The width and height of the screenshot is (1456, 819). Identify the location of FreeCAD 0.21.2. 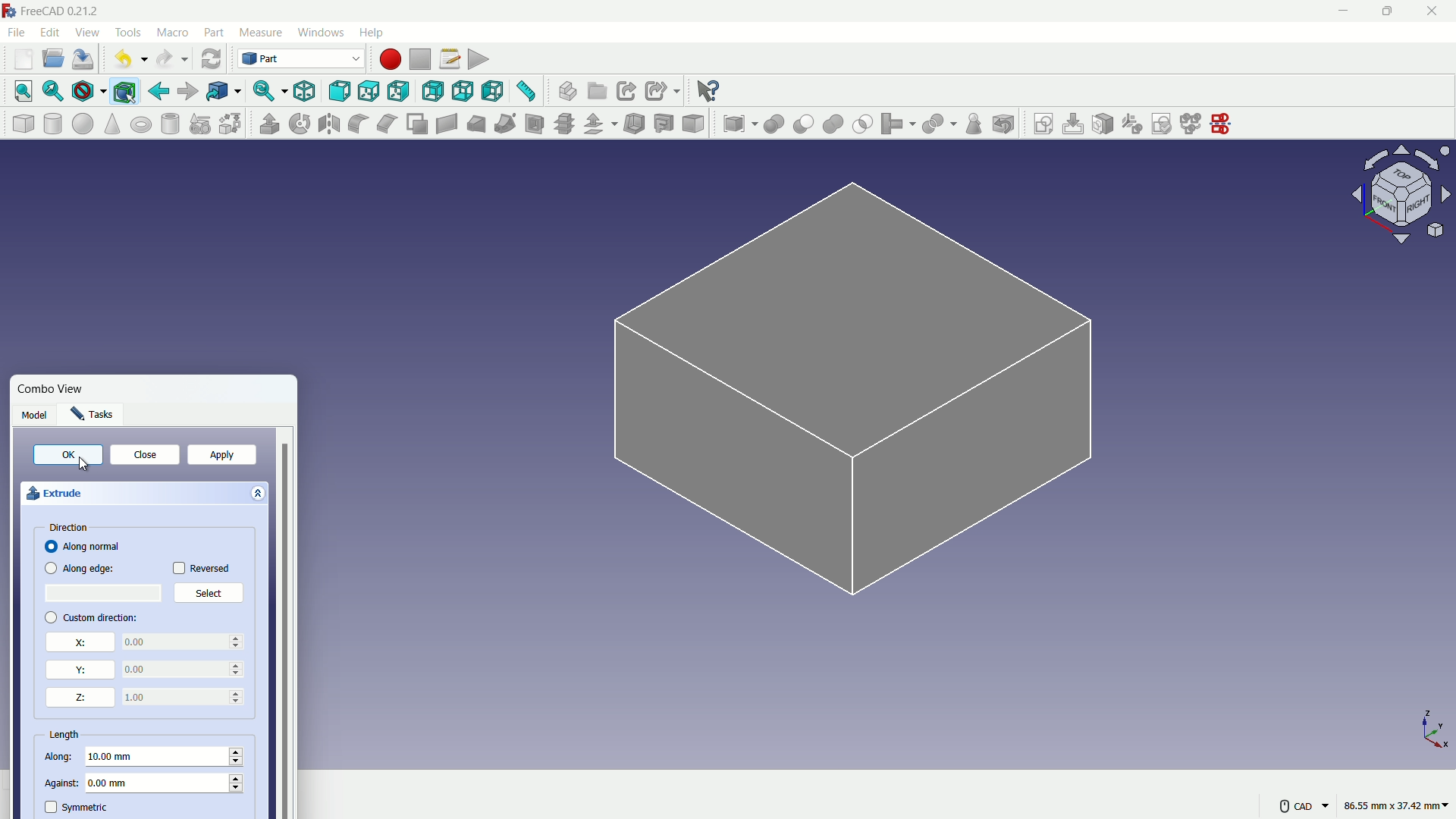
(63, 11).